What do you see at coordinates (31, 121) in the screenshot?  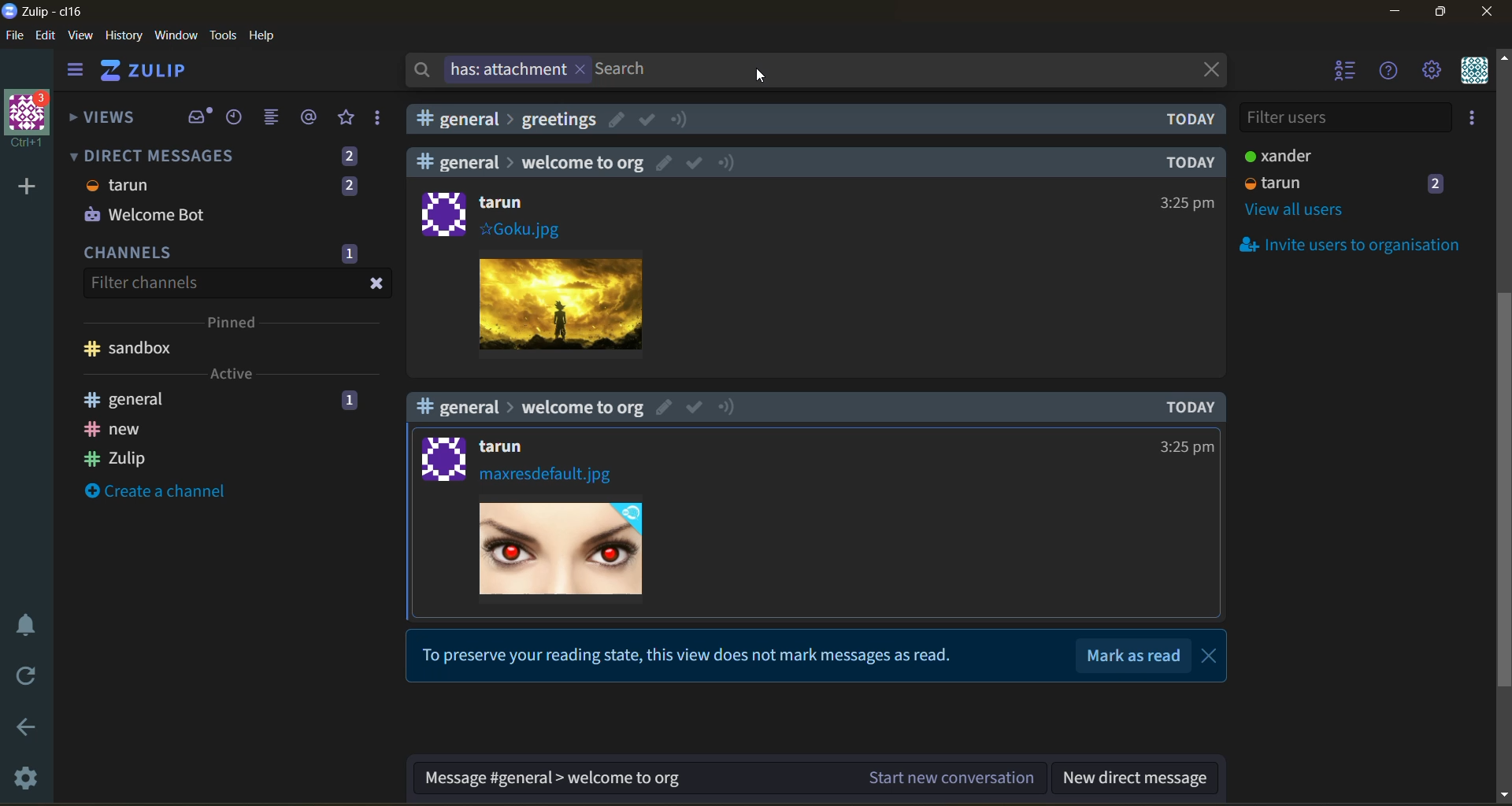 I see `organisation  Ctrl+1` at bounding box center [31, 121].